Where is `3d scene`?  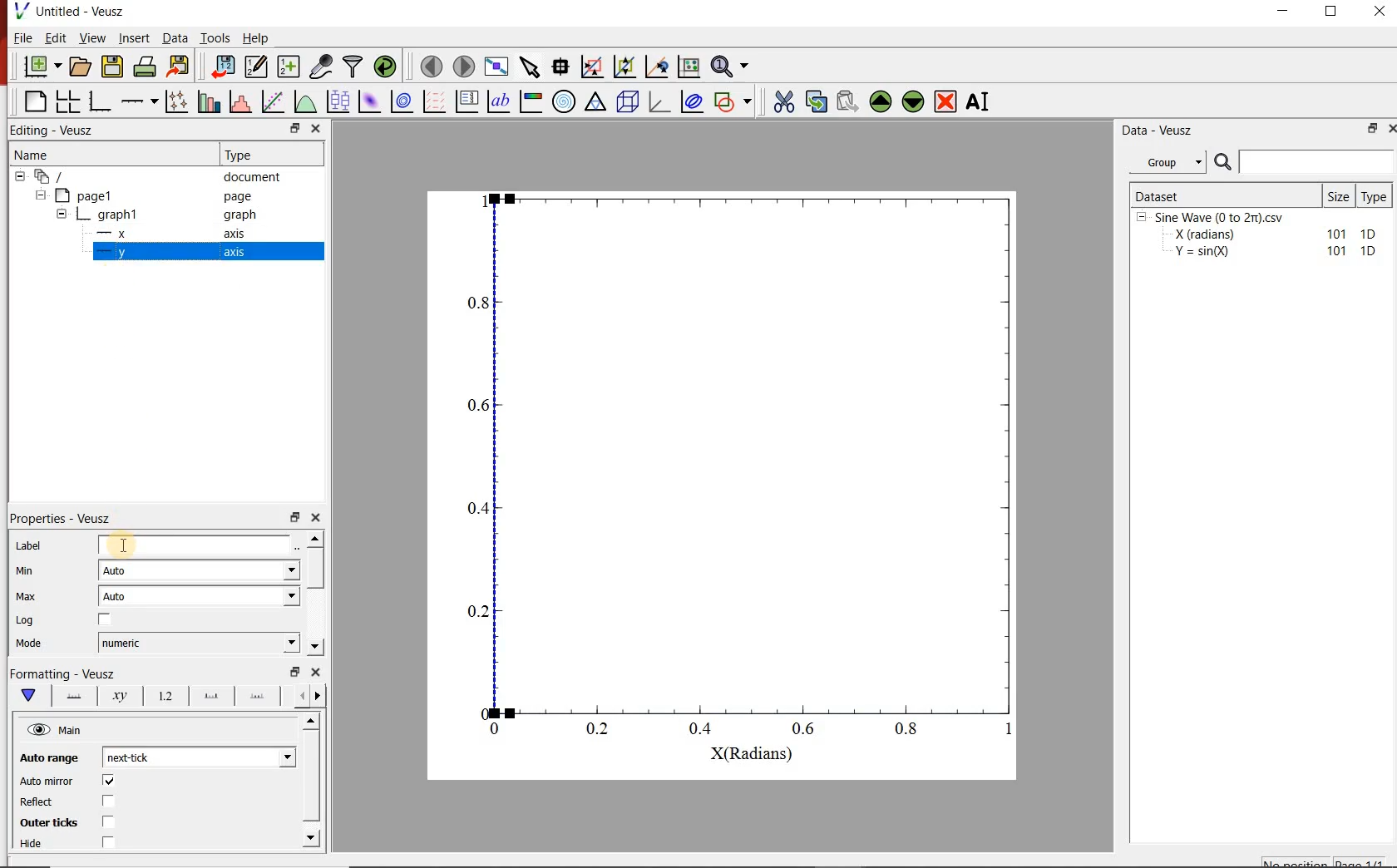 3d scene is located at coordinates (628, 101).